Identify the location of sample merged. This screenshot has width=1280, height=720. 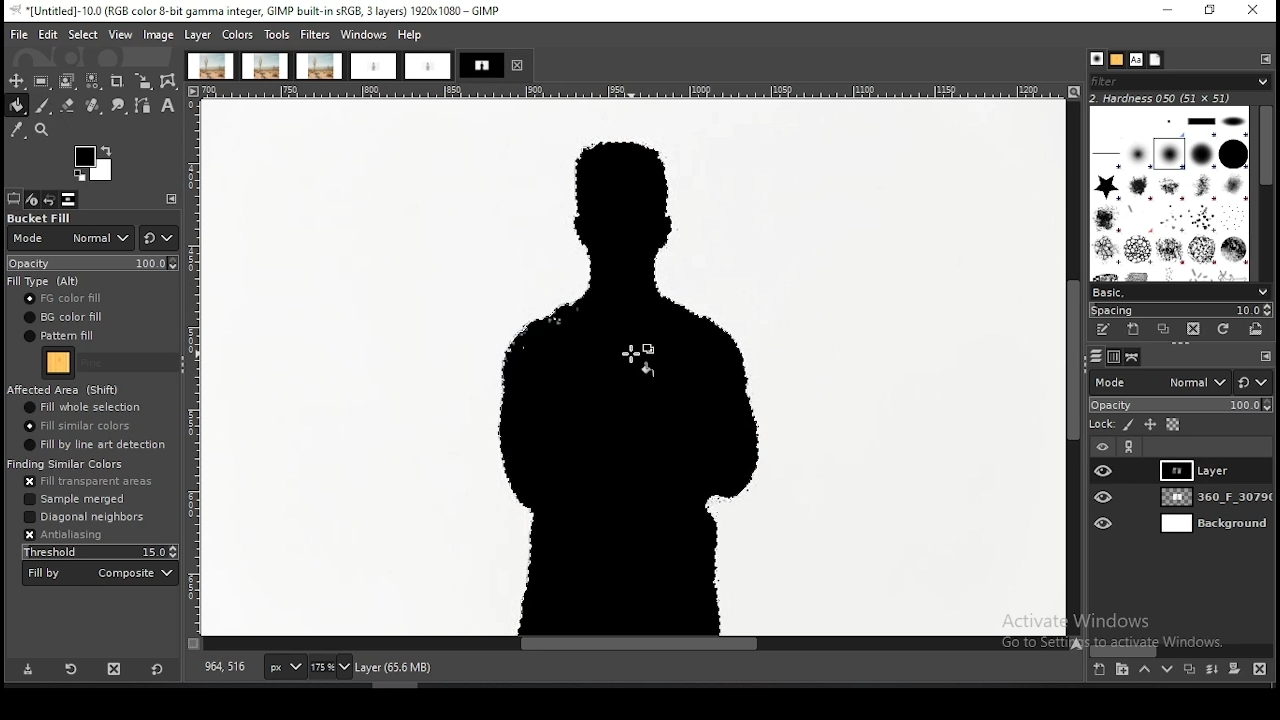
(76, 498).